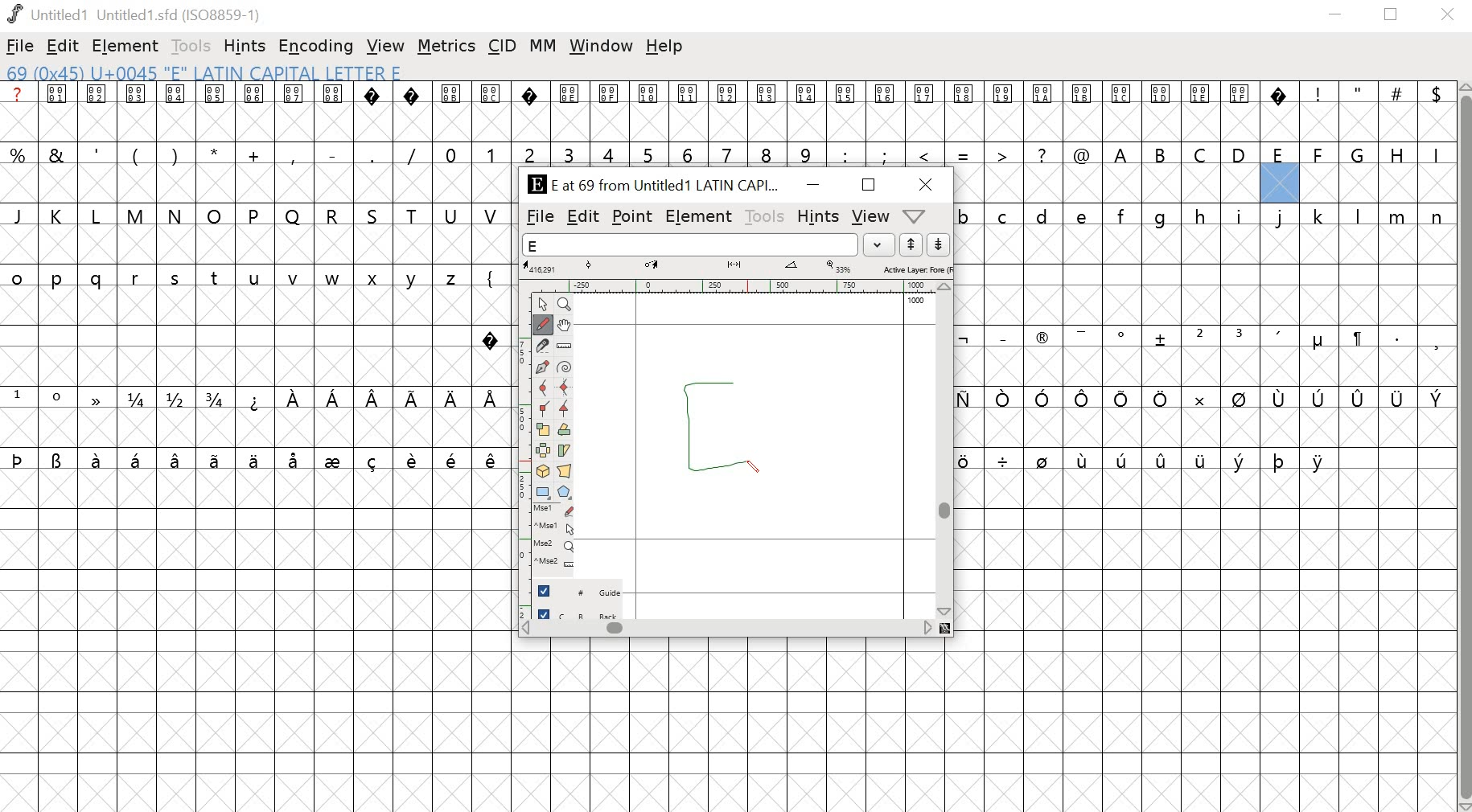 This screenshot has width=1472, height=812. What do you see at coordinates (583, 218) in the screenshot?
I see `edit` at bounding box center [583, 218].